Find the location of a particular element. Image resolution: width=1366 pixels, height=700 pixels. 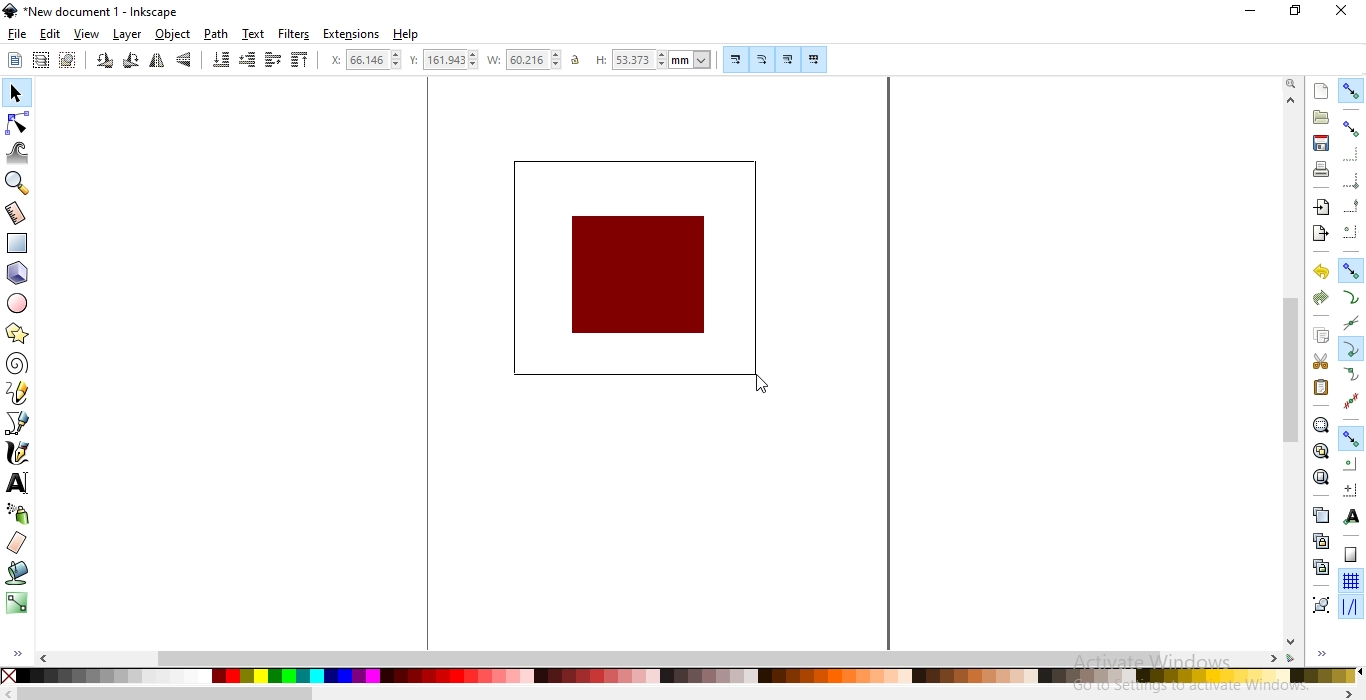

view is located at coordinates (88, 34).